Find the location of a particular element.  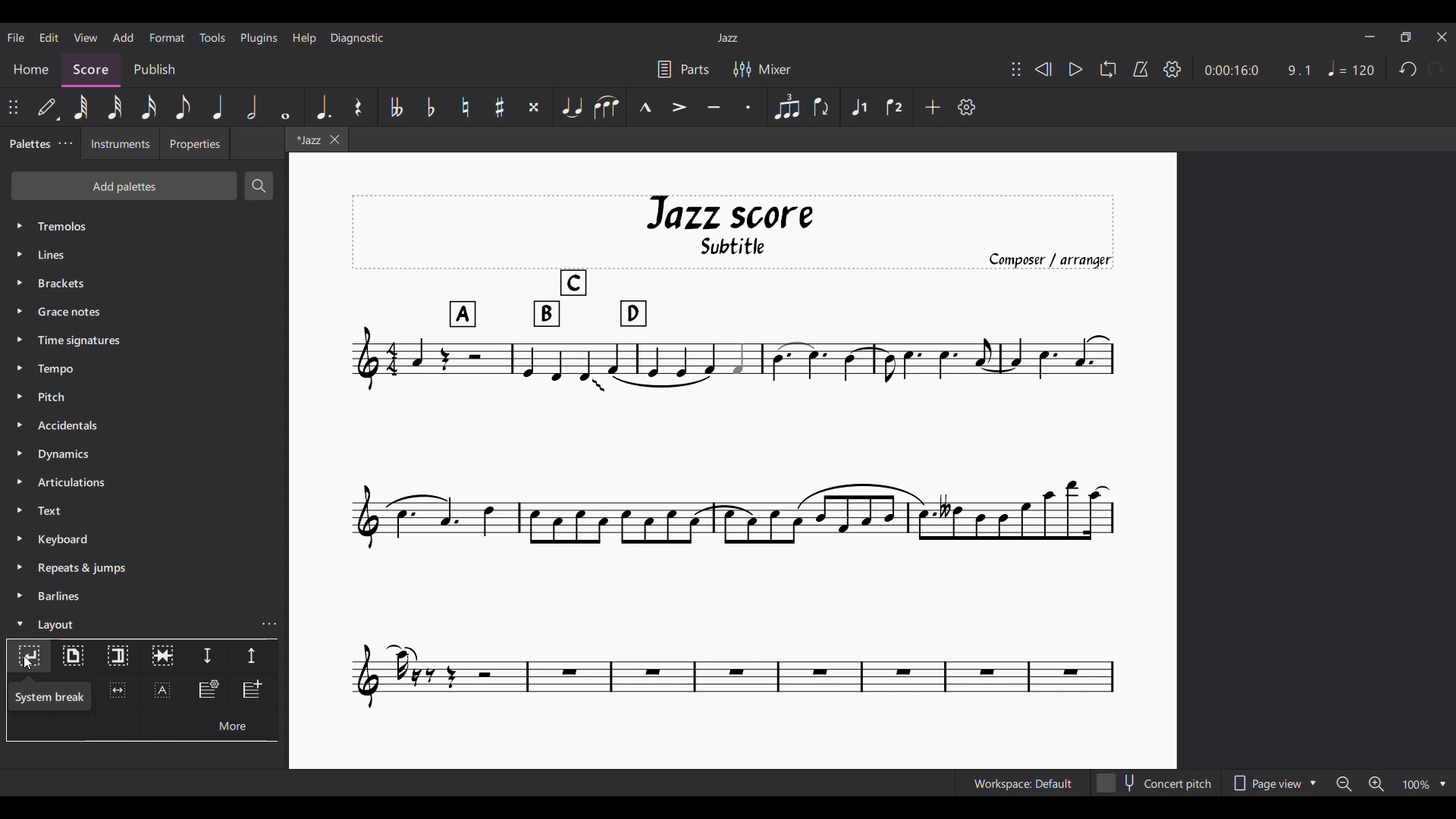

Close interface is located at coordinates (1442, 37).